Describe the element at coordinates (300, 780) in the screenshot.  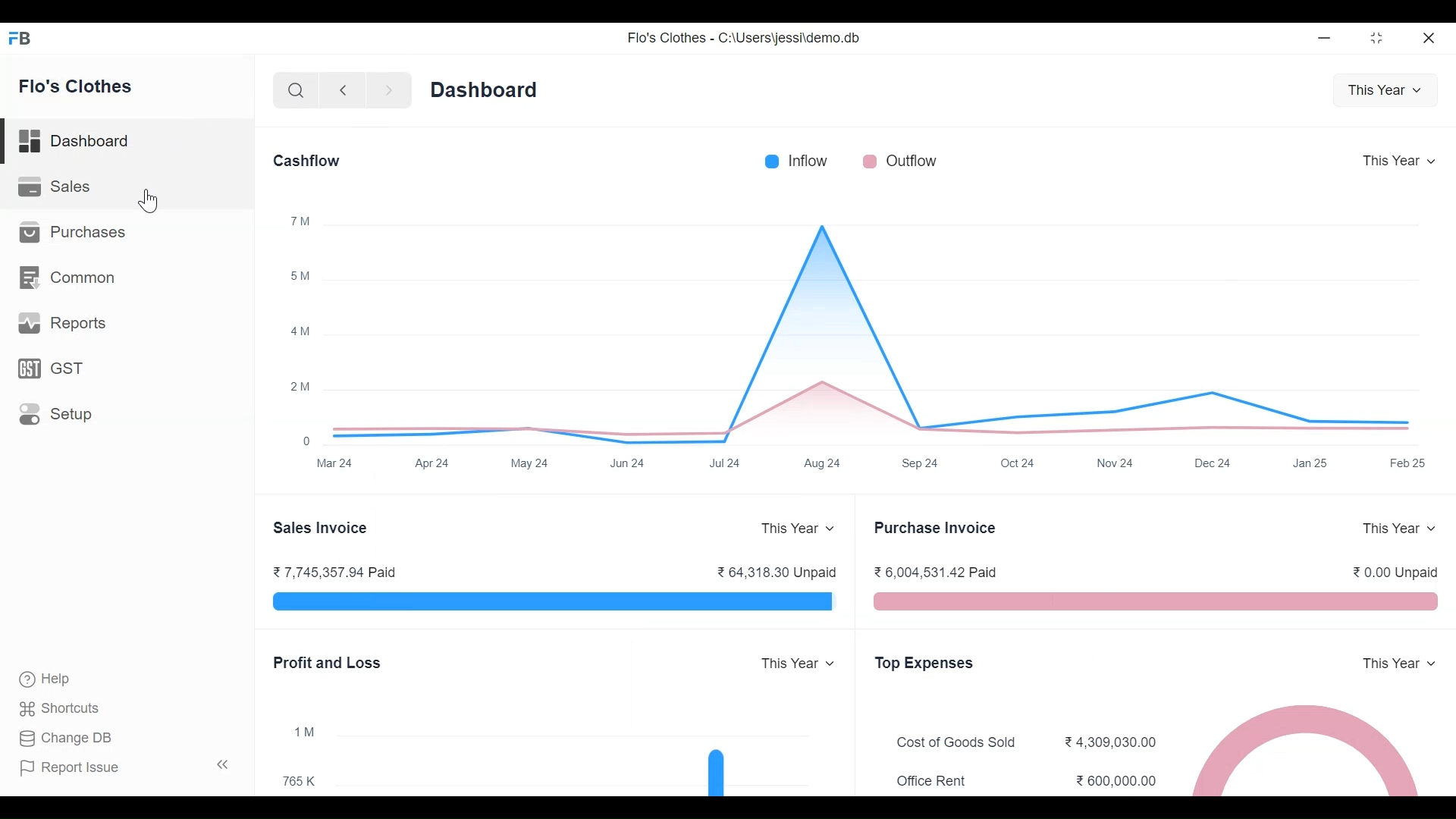
I see `765K` at that location.